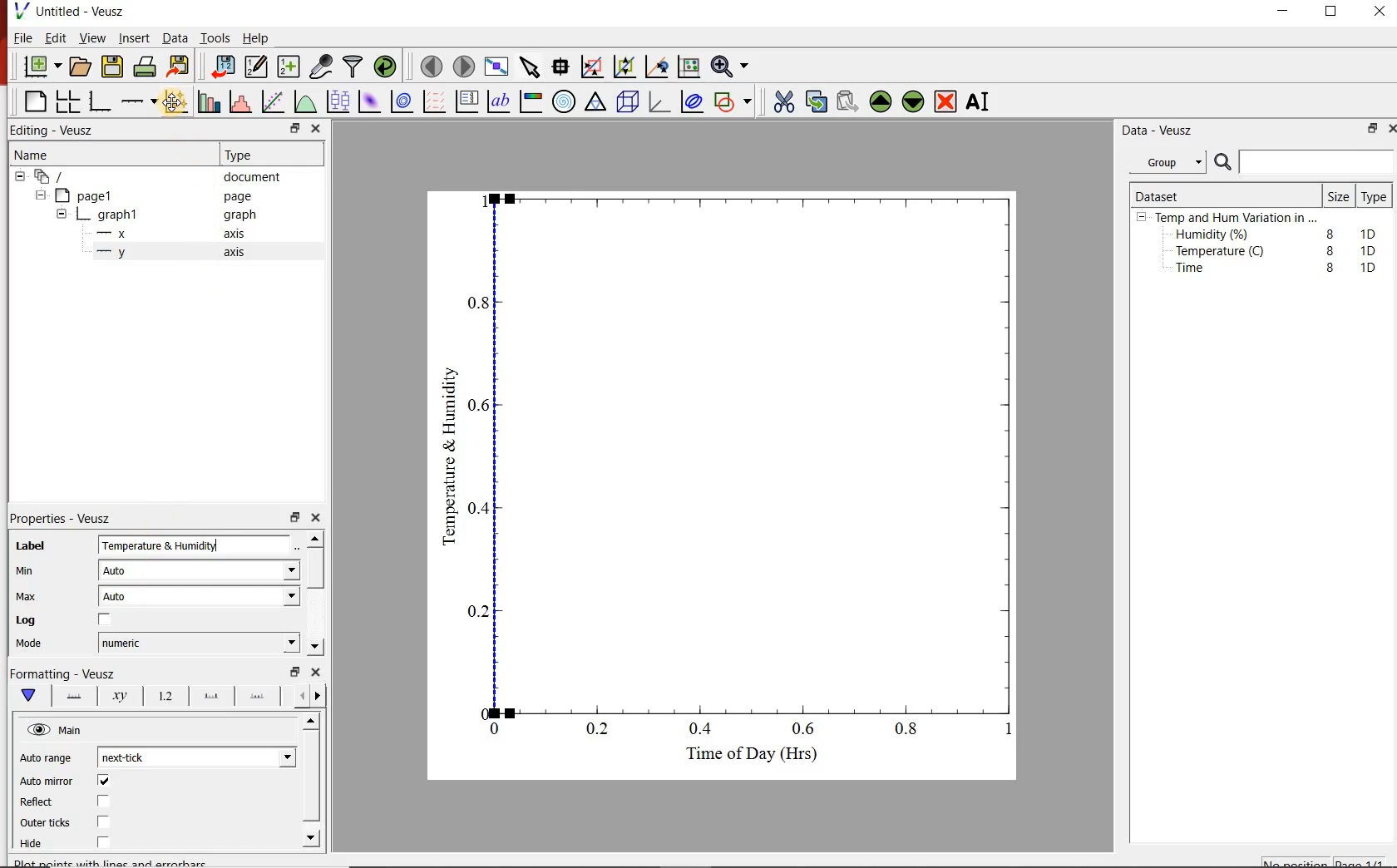 This screenshot has height=868, width=1397. Describe the element at coordinates (113, 67) in the screenshot. I see `save the document` at that location.